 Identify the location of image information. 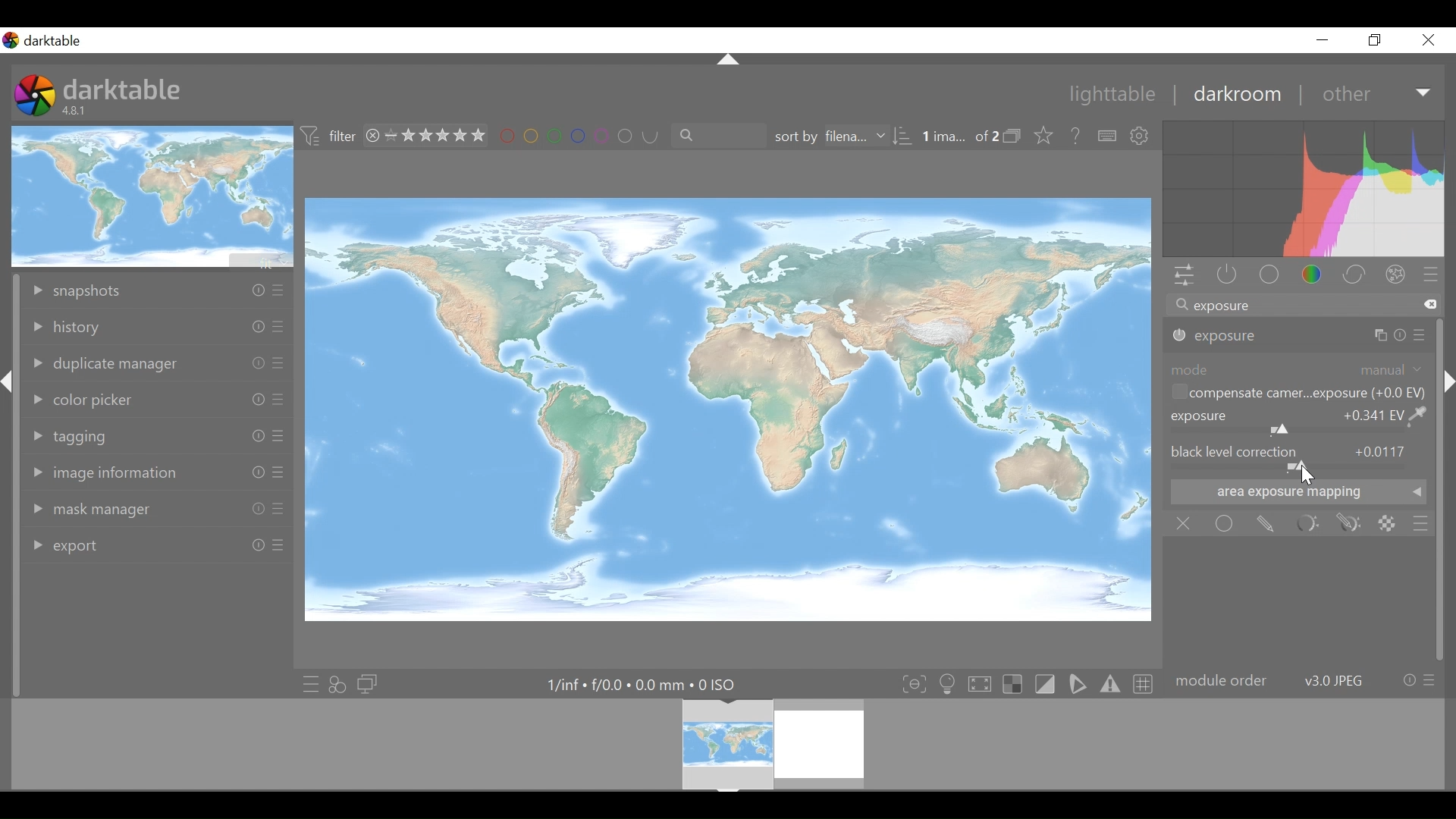
(156, 475).